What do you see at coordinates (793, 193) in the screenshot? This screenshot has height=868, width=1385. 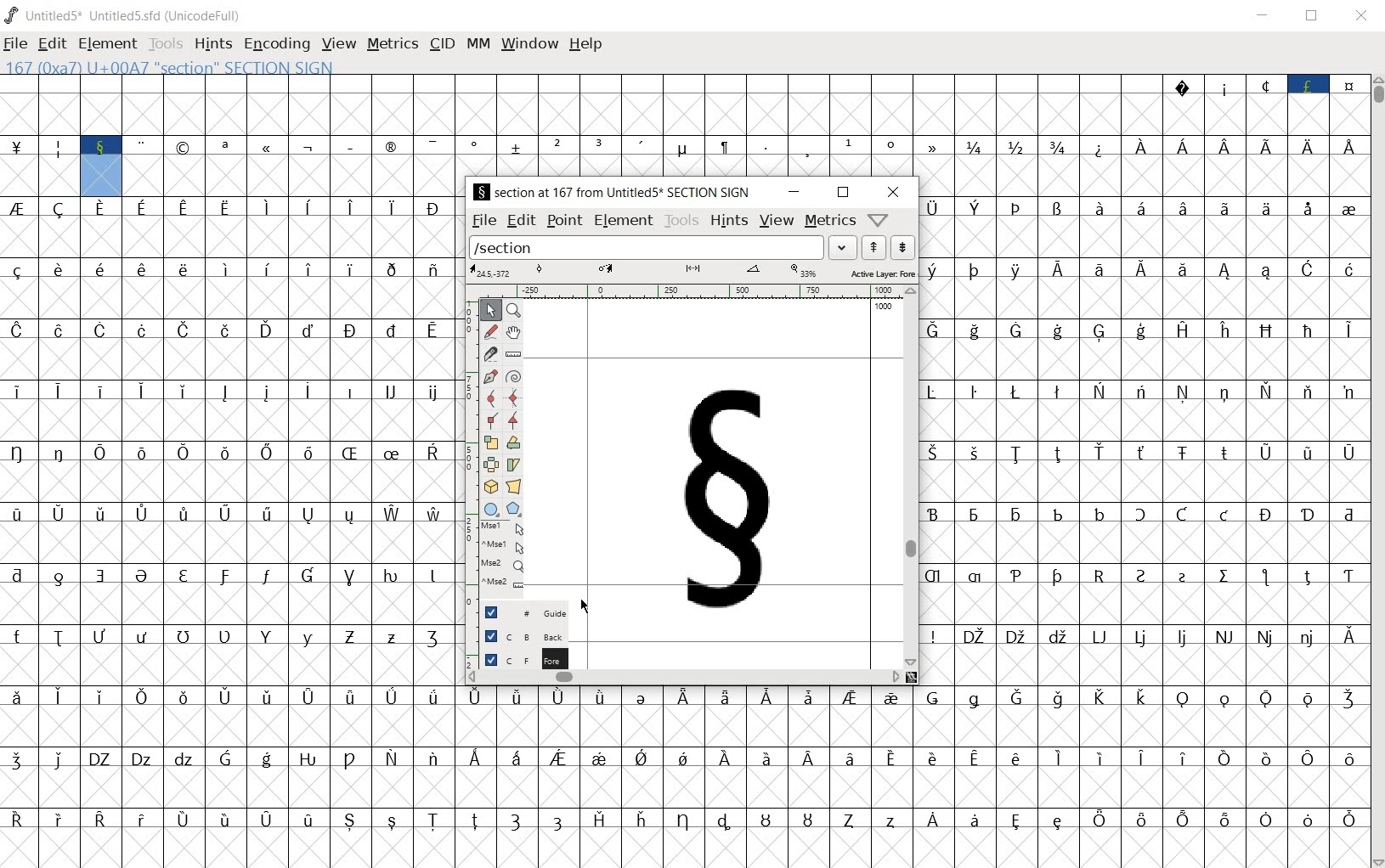 I see `minimize` at bounding box center [793, 193].